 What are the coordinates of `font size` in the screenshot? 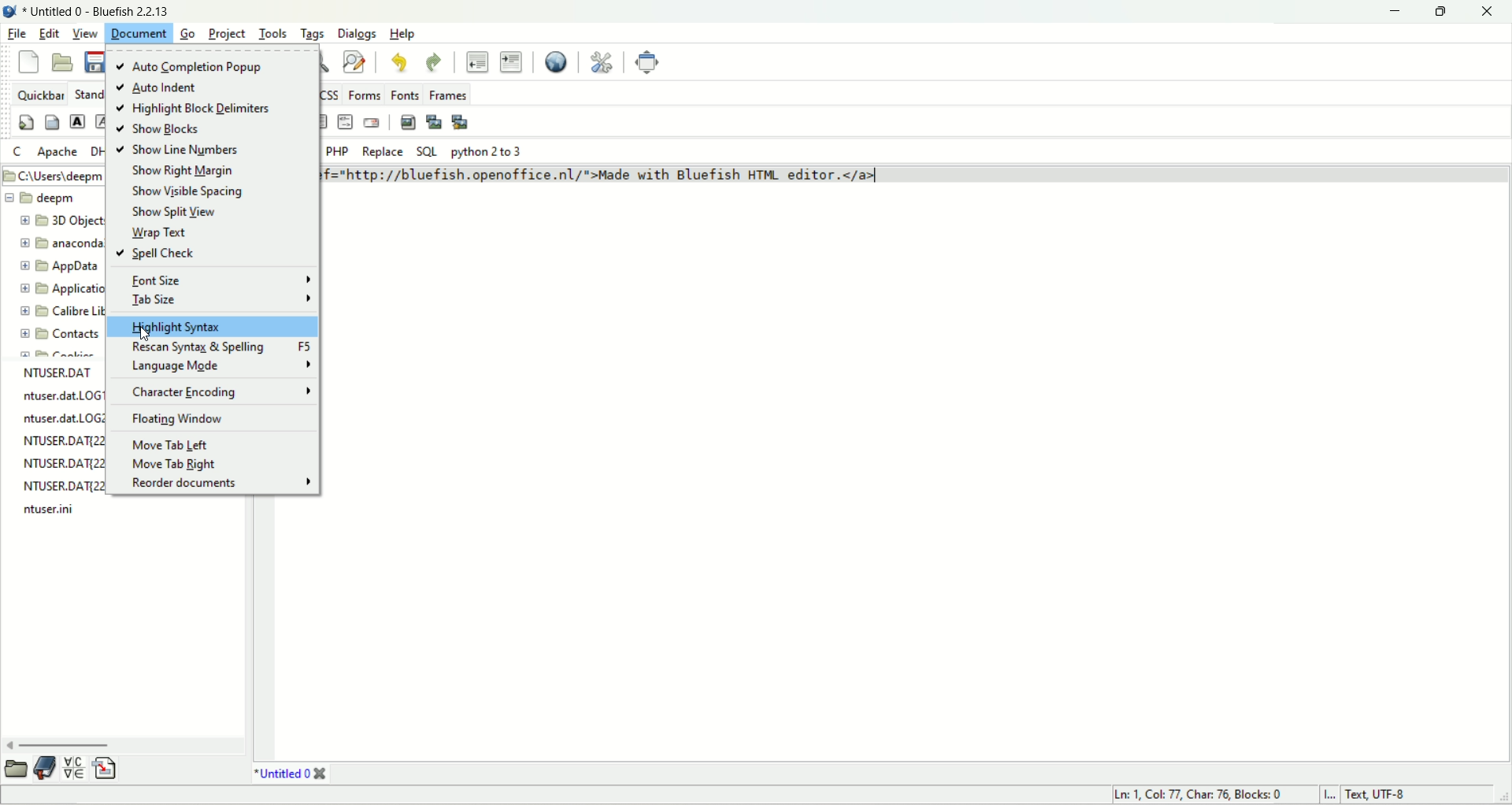 It's located at (224, 280).